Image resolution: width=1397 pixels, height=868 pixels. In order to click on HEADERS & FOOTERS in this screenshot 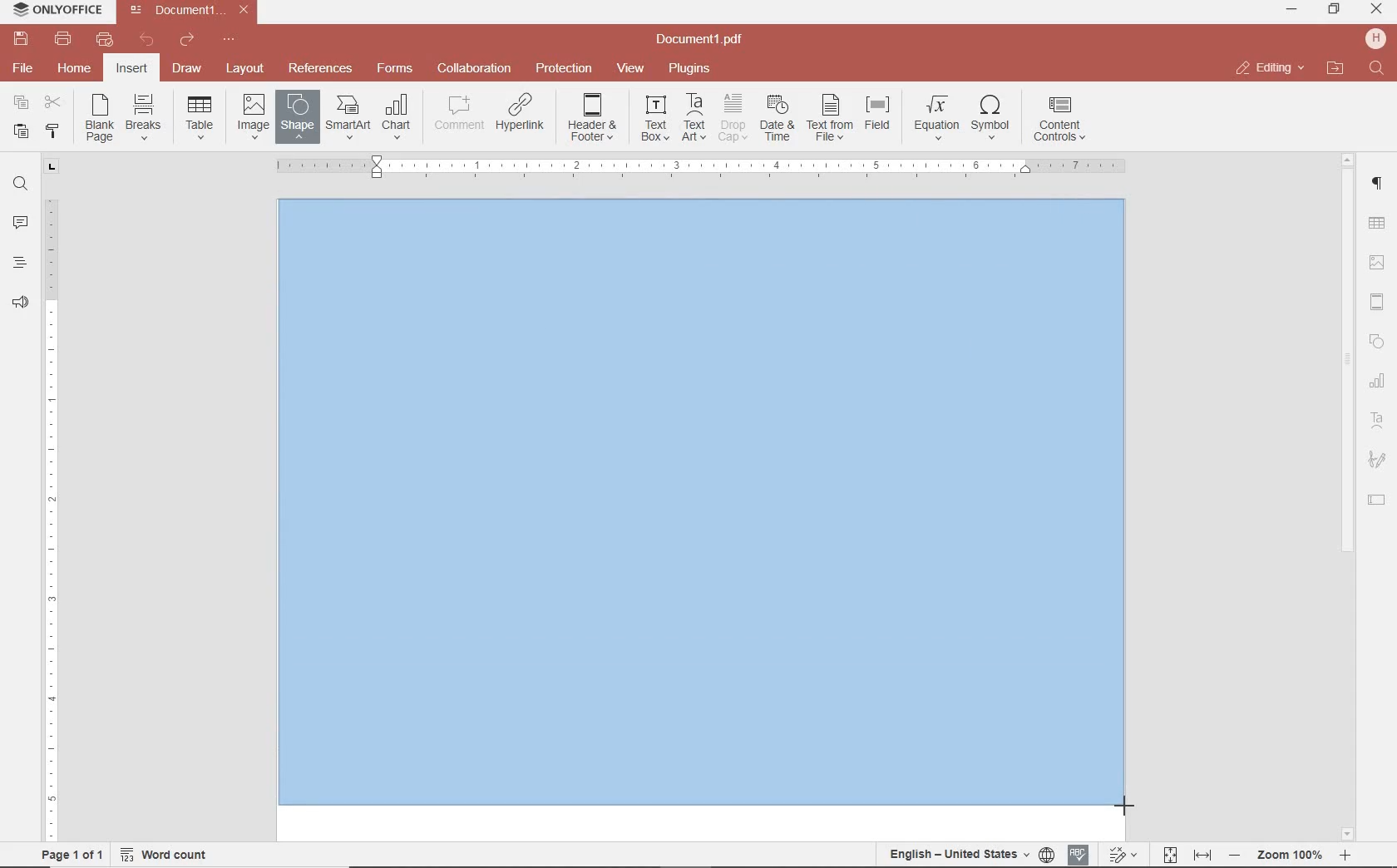, I will do `click(1378, 303)`.